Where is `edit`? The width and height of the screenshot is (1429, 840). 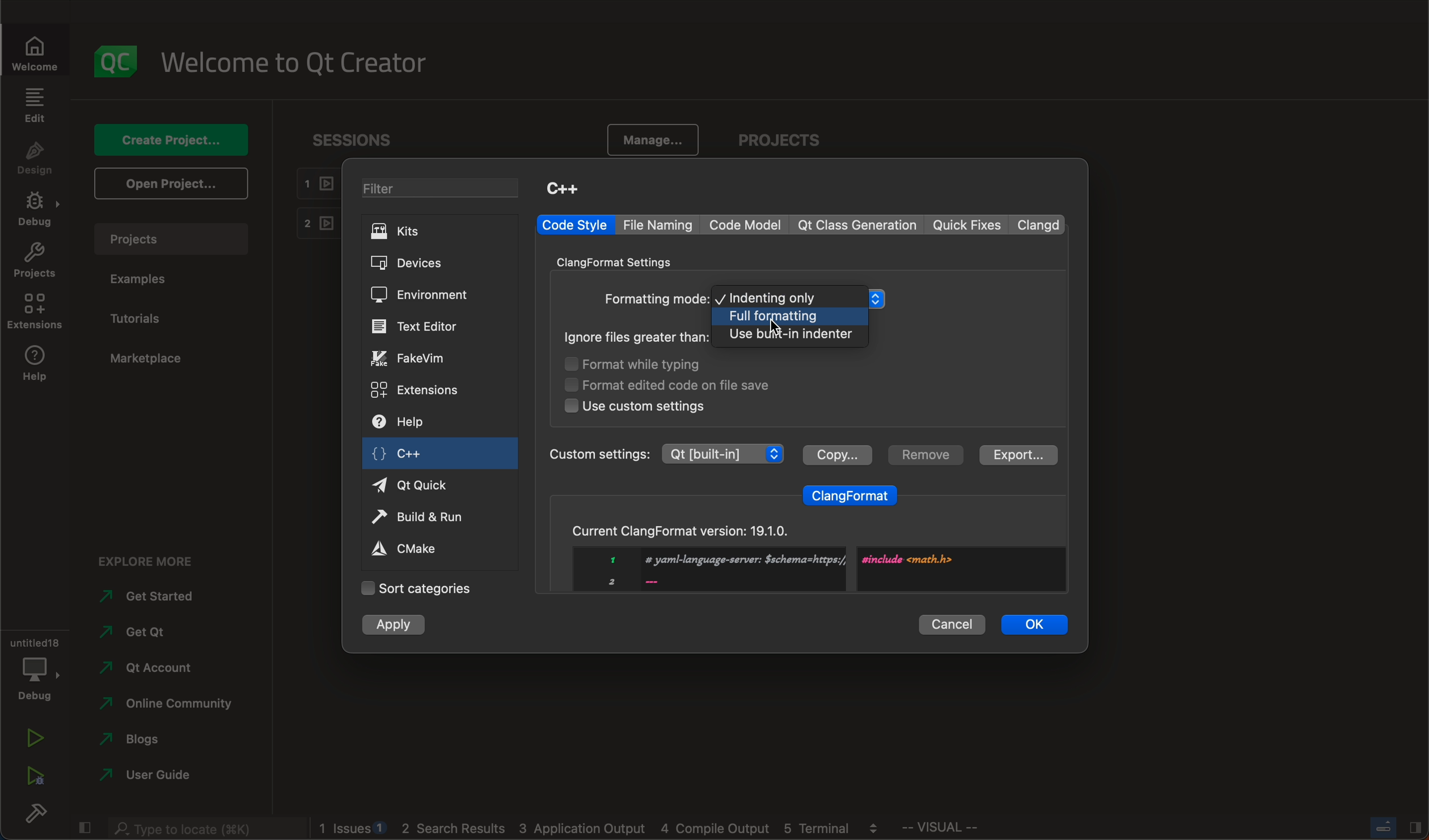 edit is located at coordinates (34, 105).